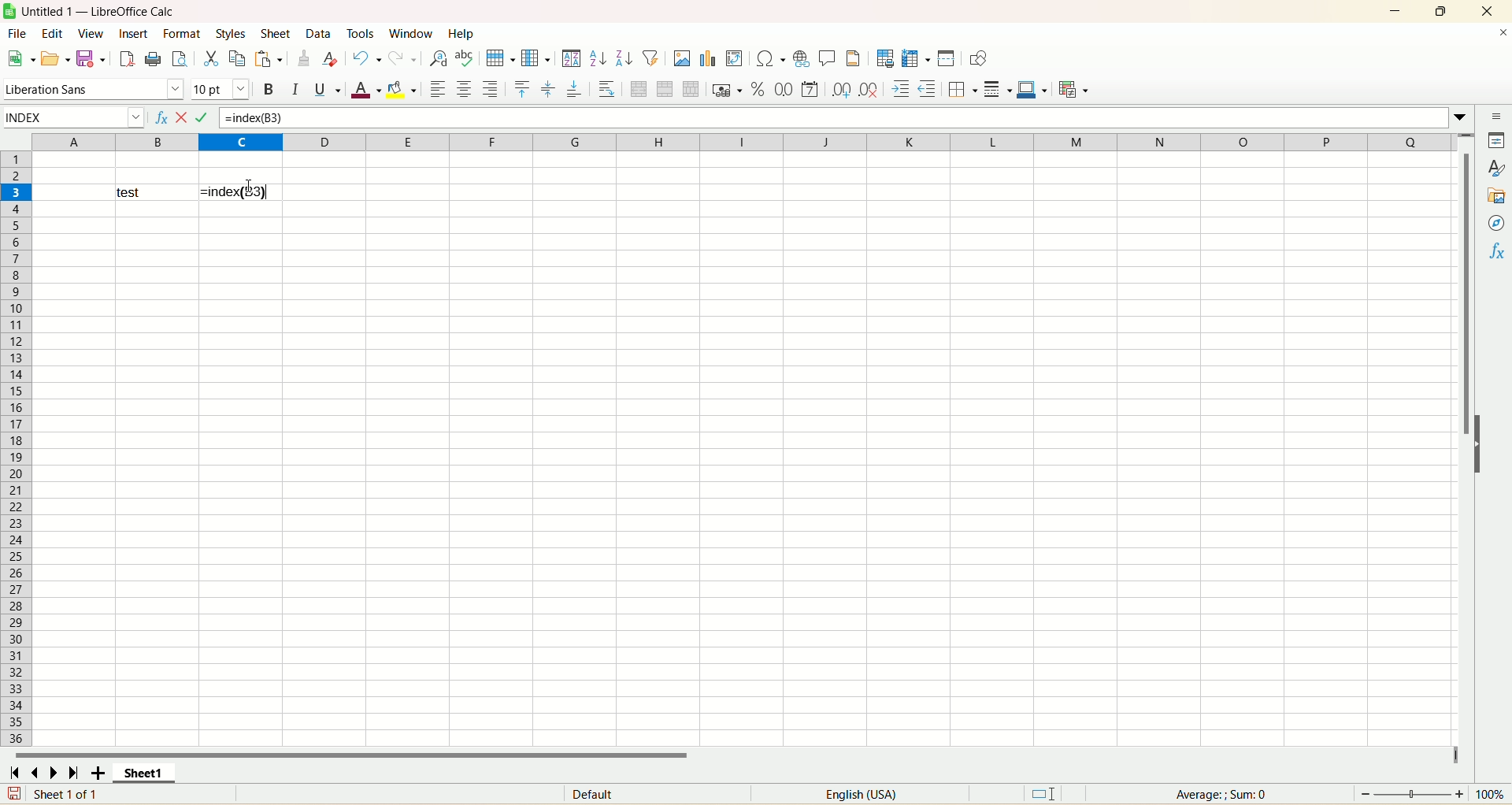 The height and width of the screenshot is (805, 1512). I want to click on Software logo, so click(9, 11).